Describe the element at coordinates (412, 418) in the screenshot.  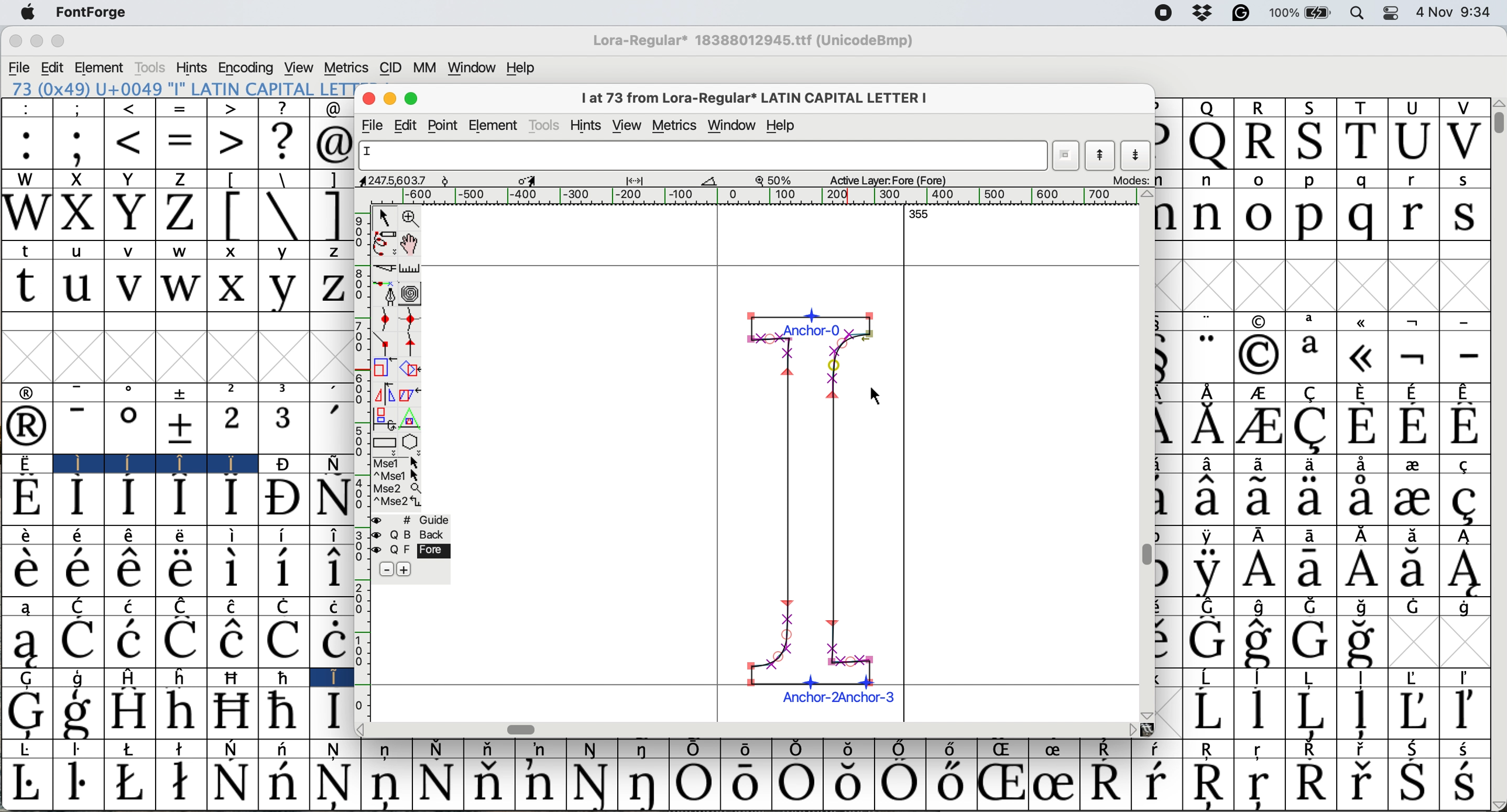
I see `perform a perspective transformation on the selection` at that location.